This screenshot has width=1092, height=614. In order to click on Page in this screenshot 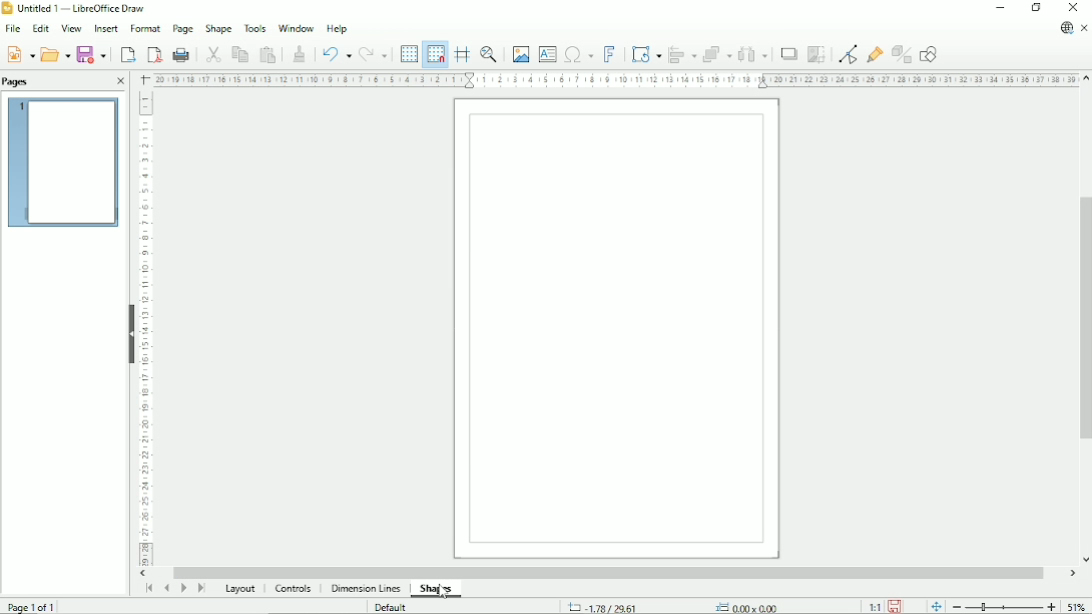, I will do `click(182, 29)`.